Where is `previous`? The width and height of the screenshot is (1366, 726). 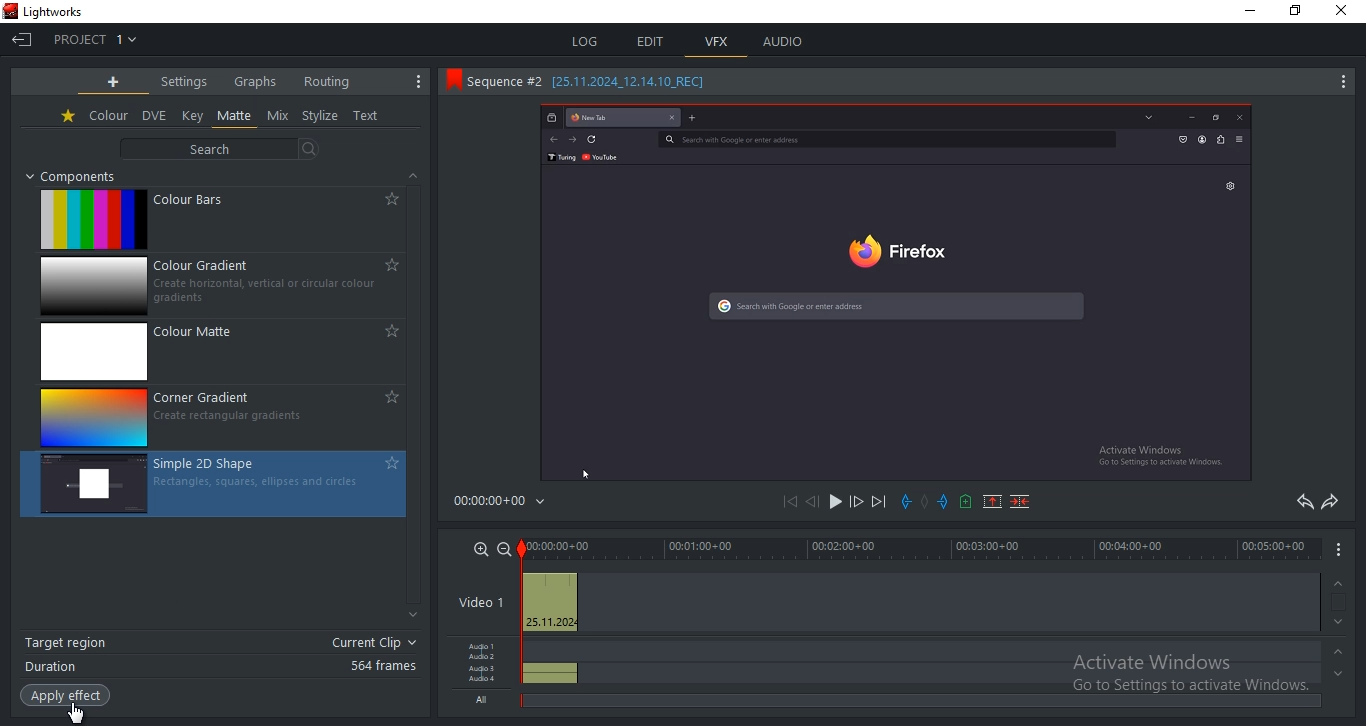
previous is located at coordinates (794, 503).